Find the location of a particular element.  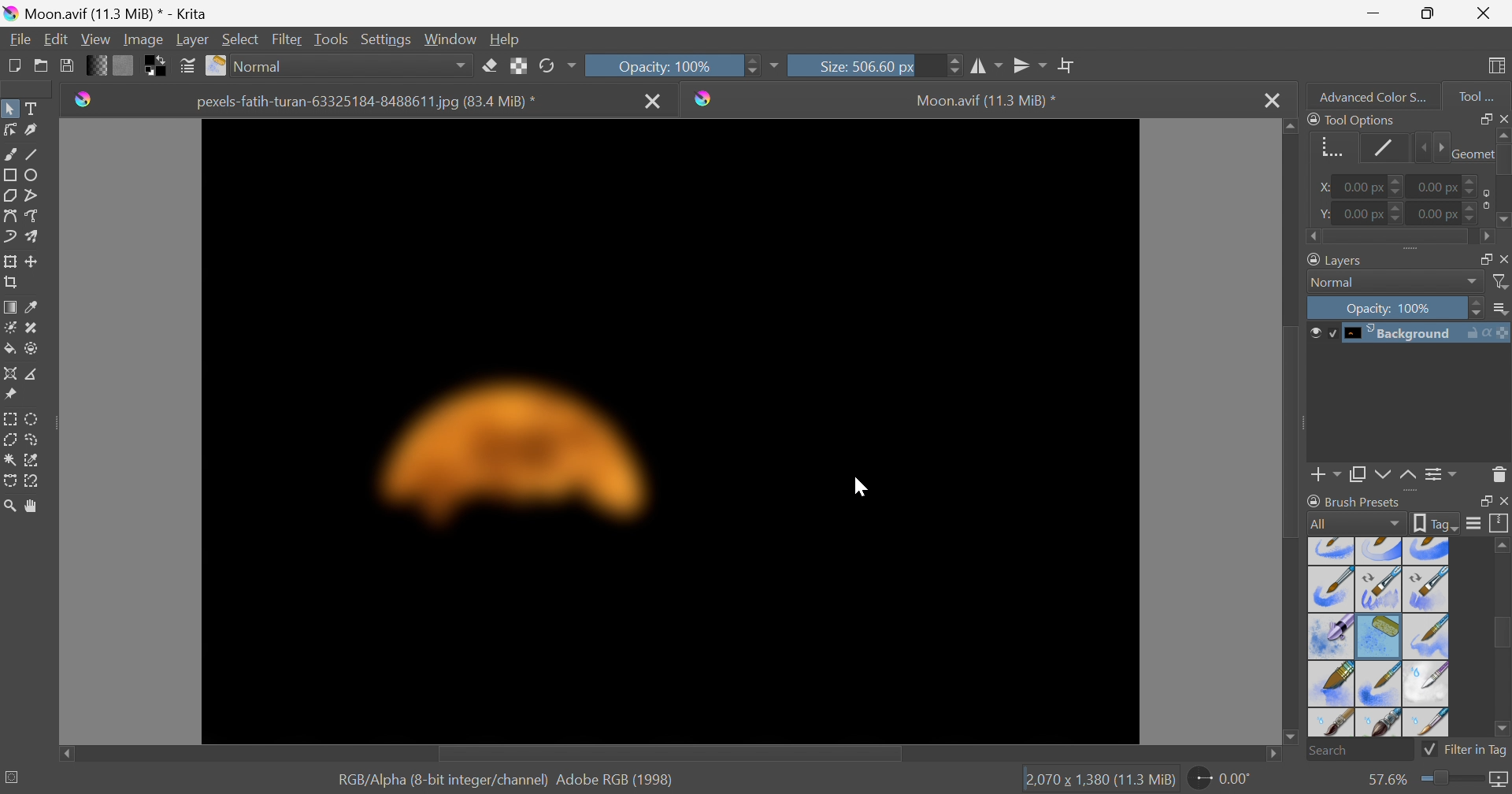

Scroll down is located at coordinates (1503, 222).